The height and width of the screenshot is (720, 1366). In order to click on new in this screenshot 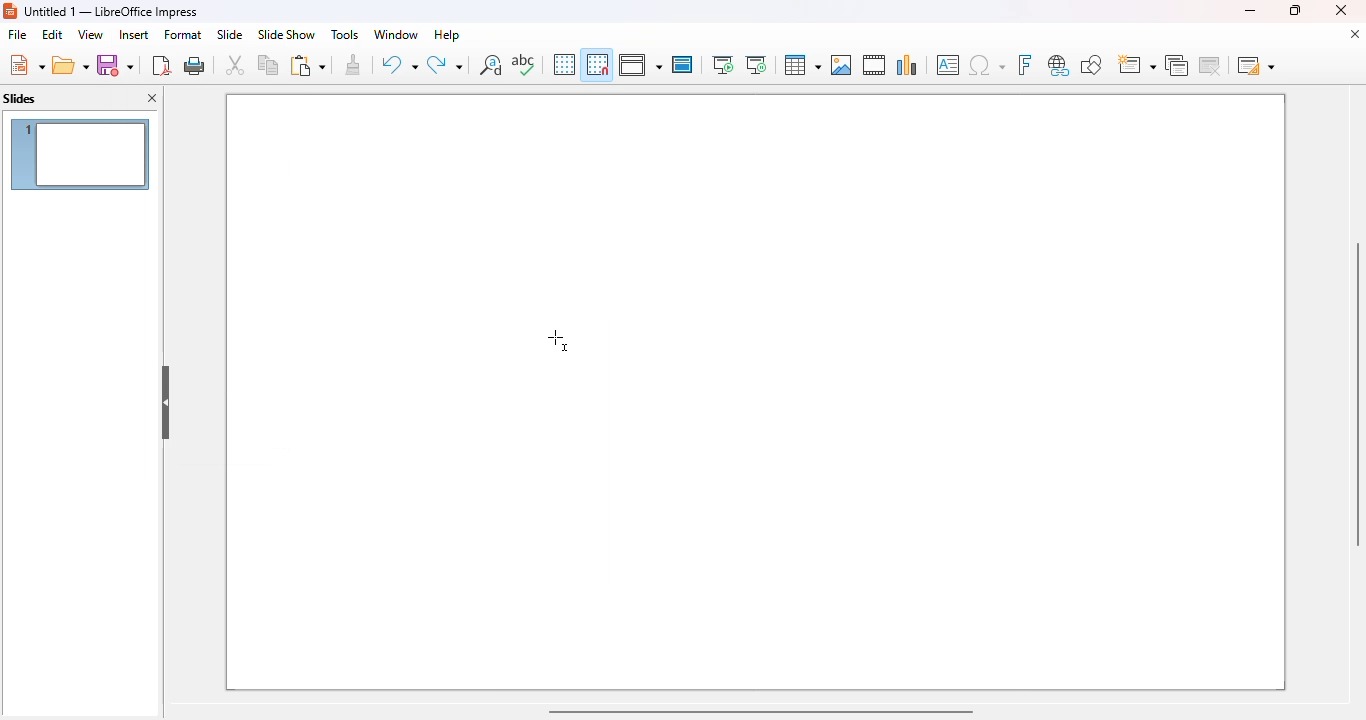, I will do `click(26, 65)`.